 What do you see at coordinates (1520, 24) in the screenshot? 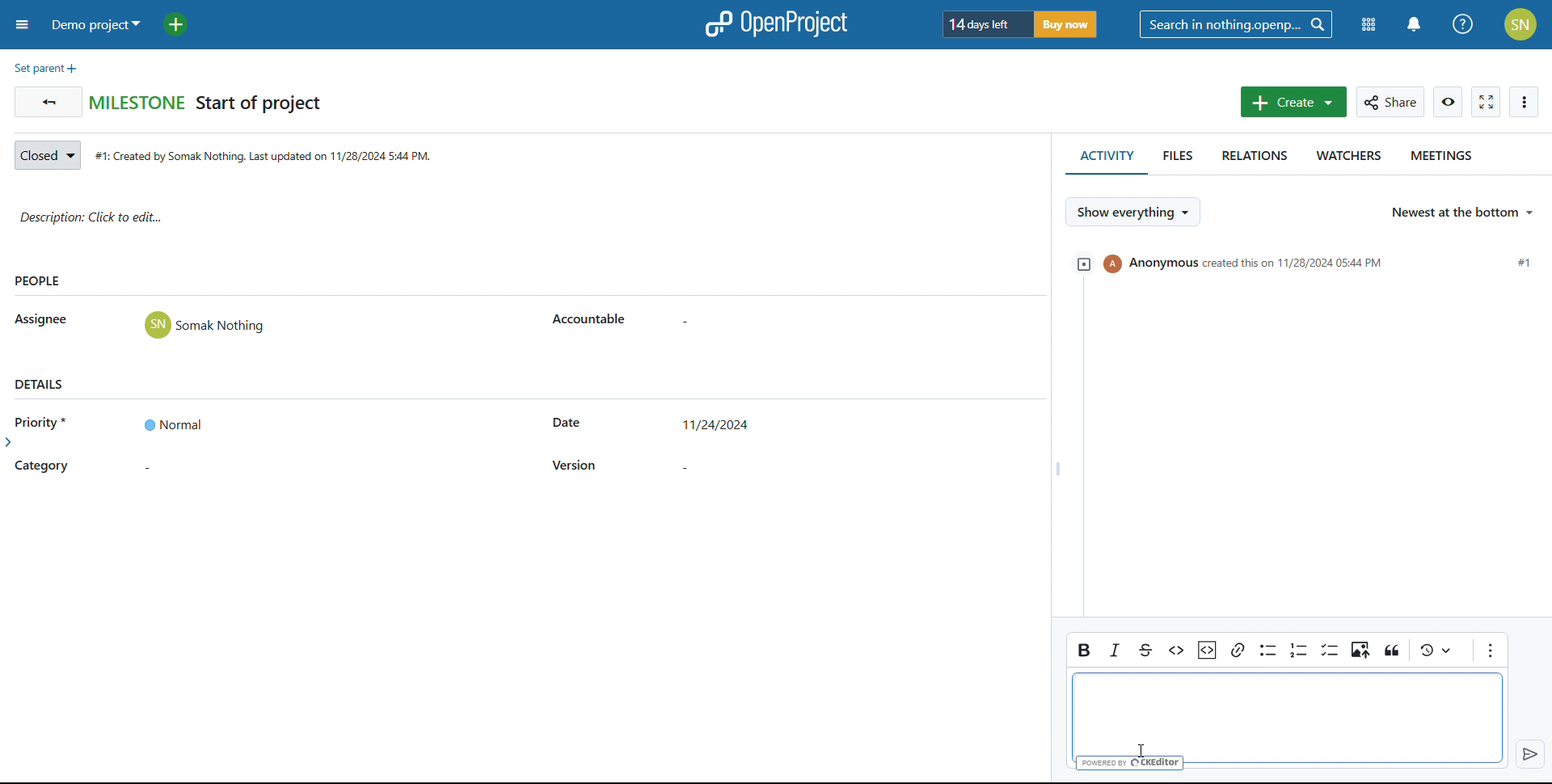
I see `account` at bounding box center [1520, 24].